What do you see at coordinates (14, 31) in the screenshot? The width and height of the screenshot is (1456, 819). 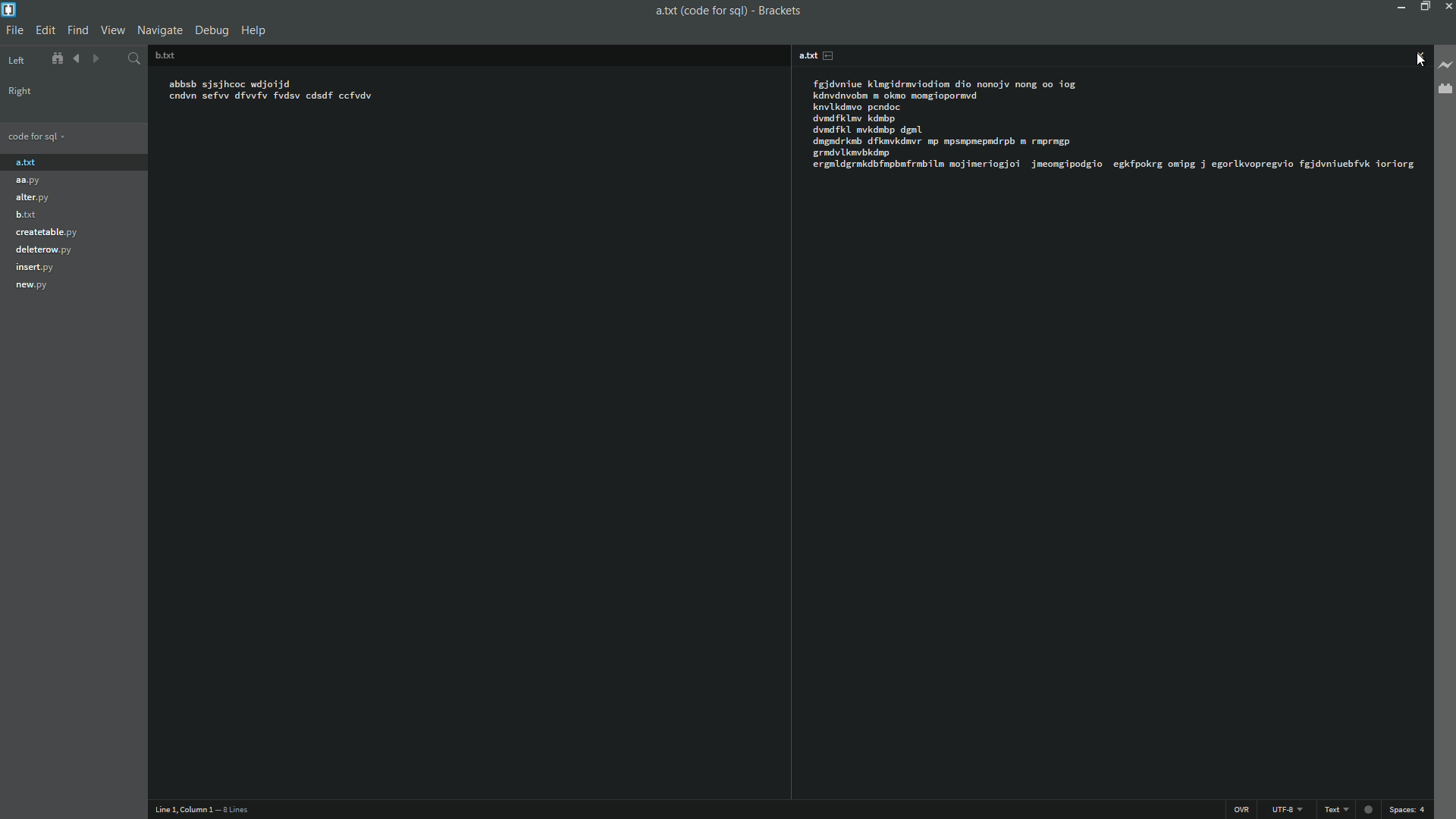 I see `file ` at bounding box center [14, 31].